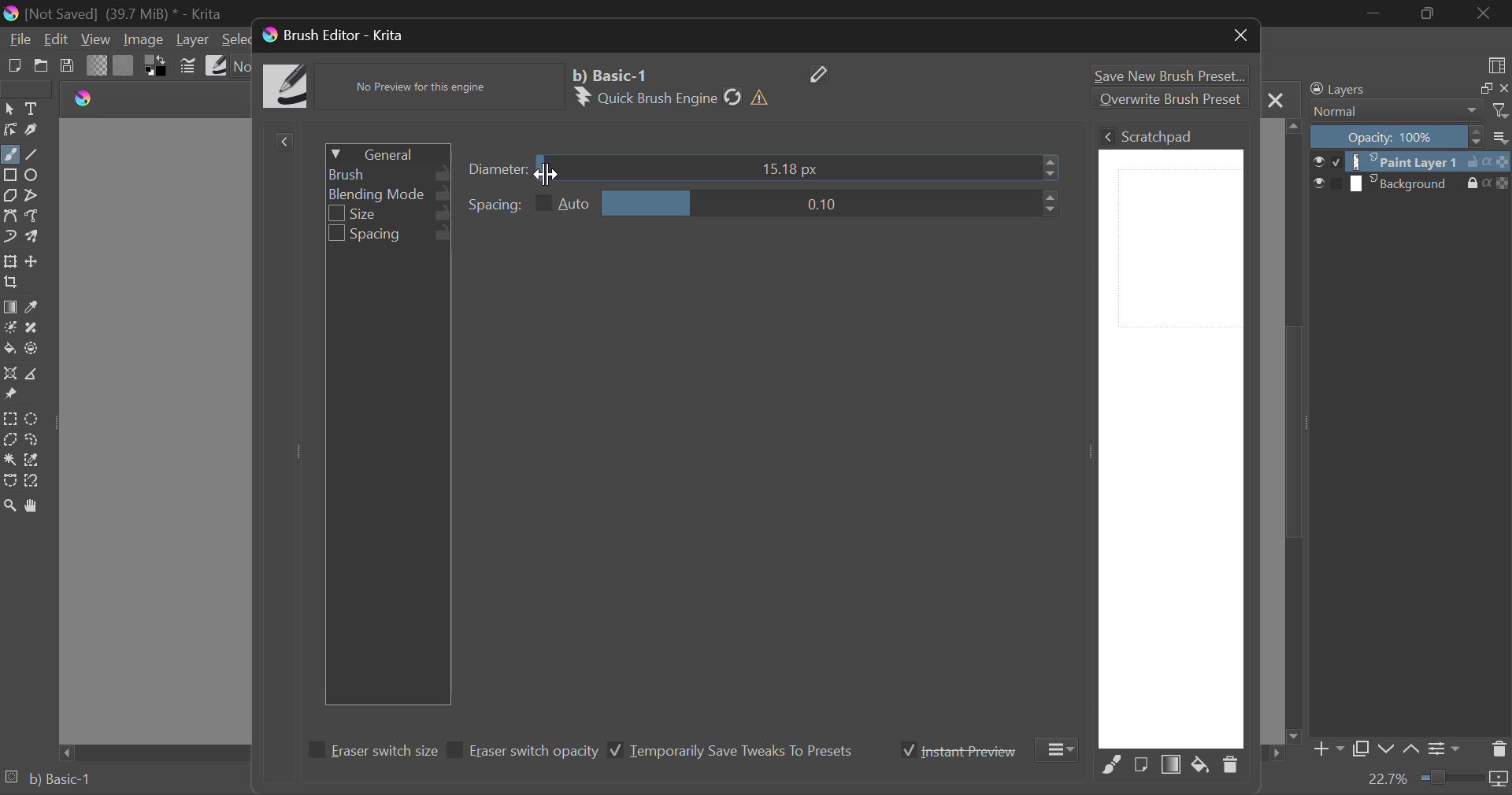 This screenshot has width=1512, height=795. I want to click on Pan, so click(34, 505).